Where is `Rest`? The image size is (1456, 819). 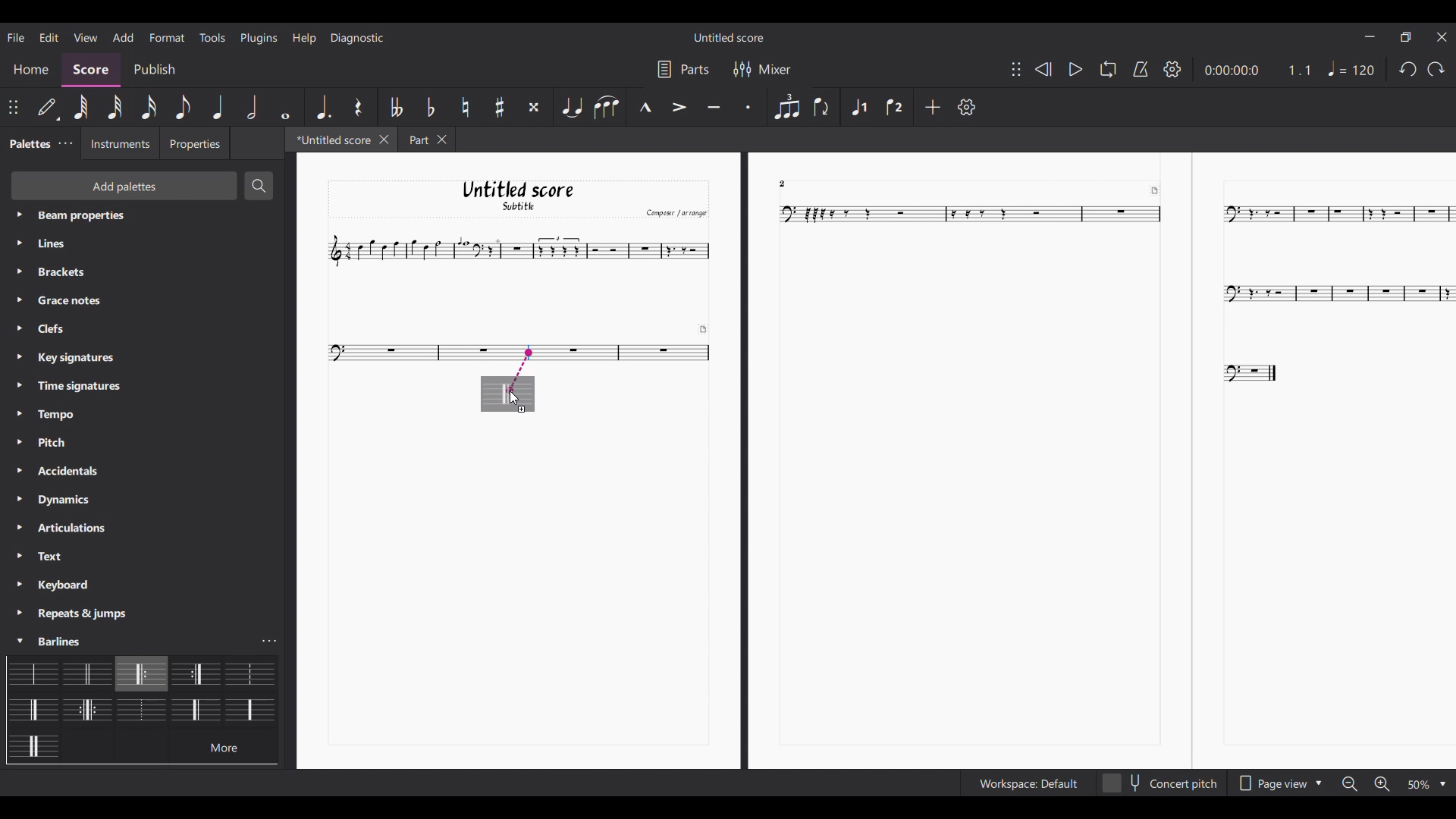 Rest is located at coordinates (359, 107).